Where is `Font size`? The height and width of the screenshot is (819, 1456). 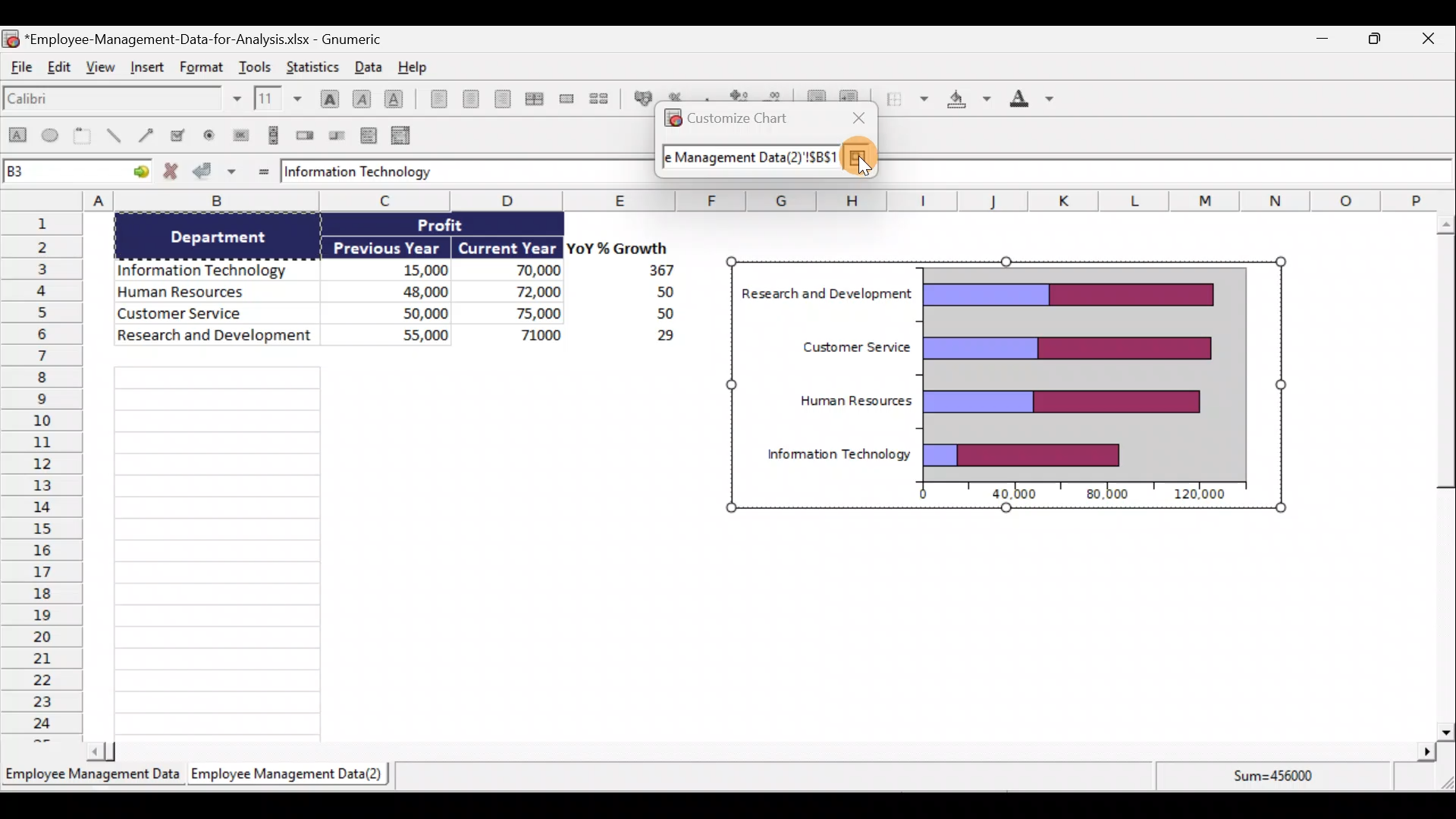
Font size is located at coordinates (281, 99).